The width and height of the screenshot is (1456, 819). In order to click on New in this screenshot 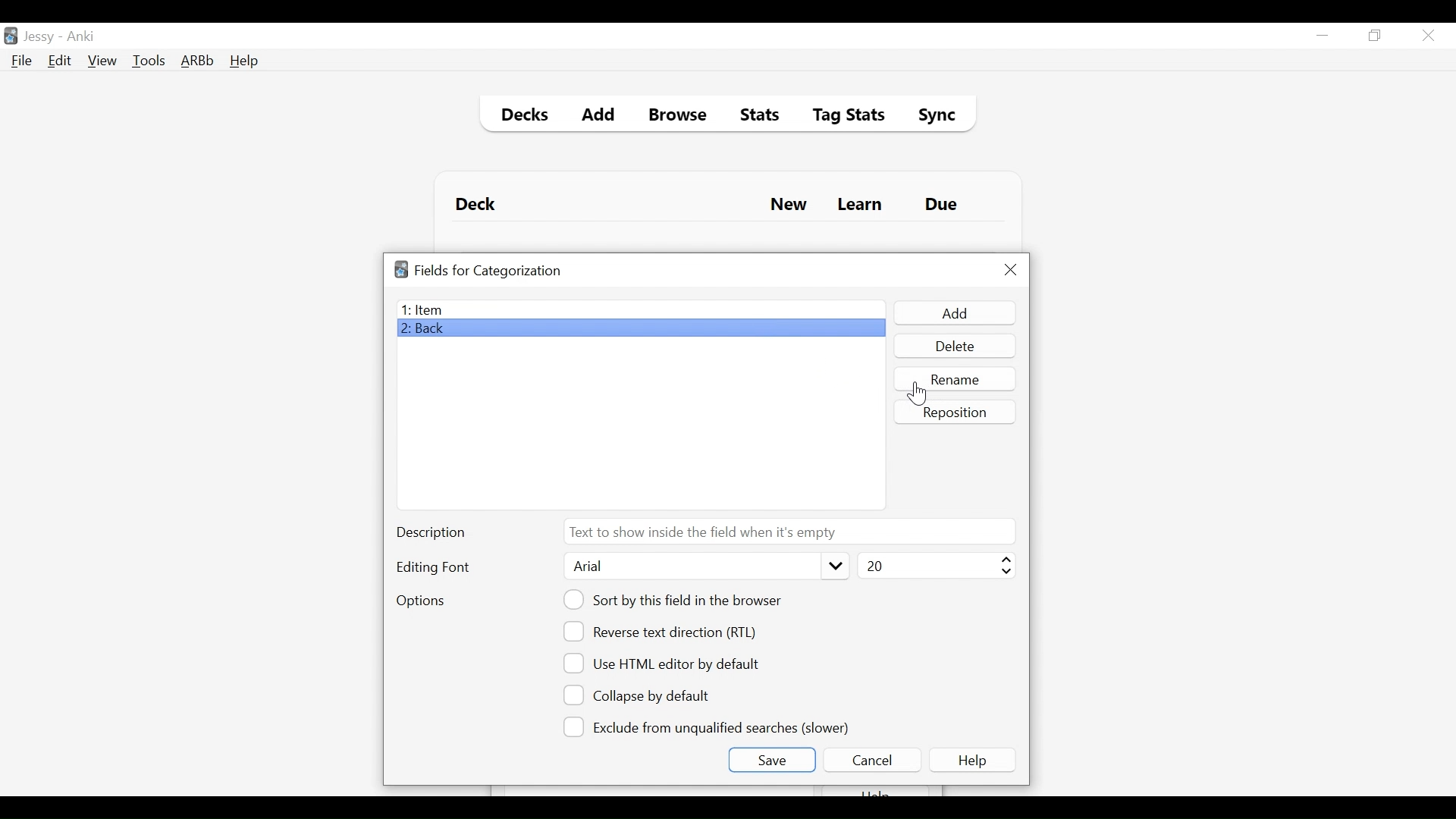, I will do `click(789, 206)`.